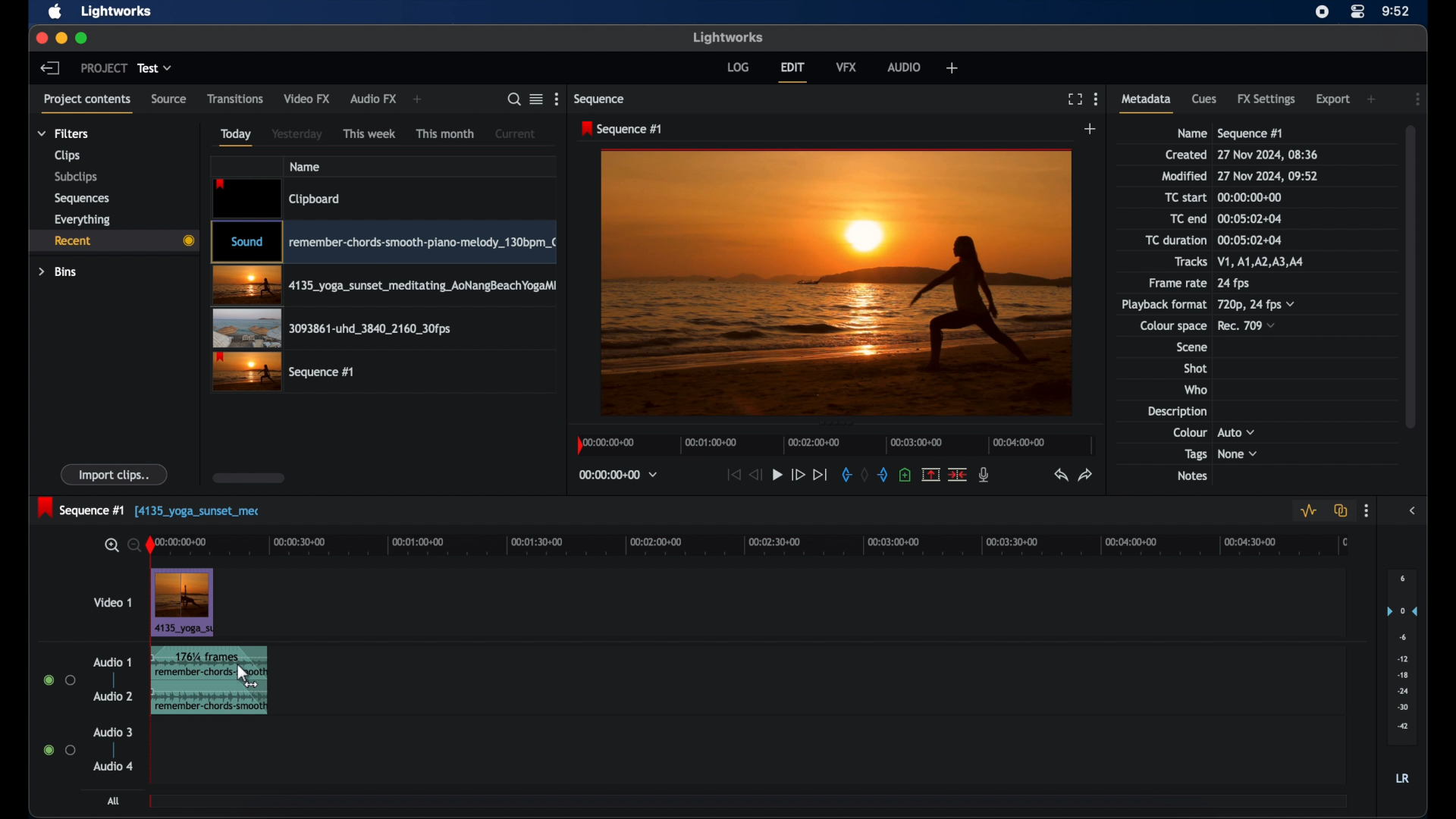 This screenshot has width=1456, height=819. I want to click on more options, so click(556, 99).